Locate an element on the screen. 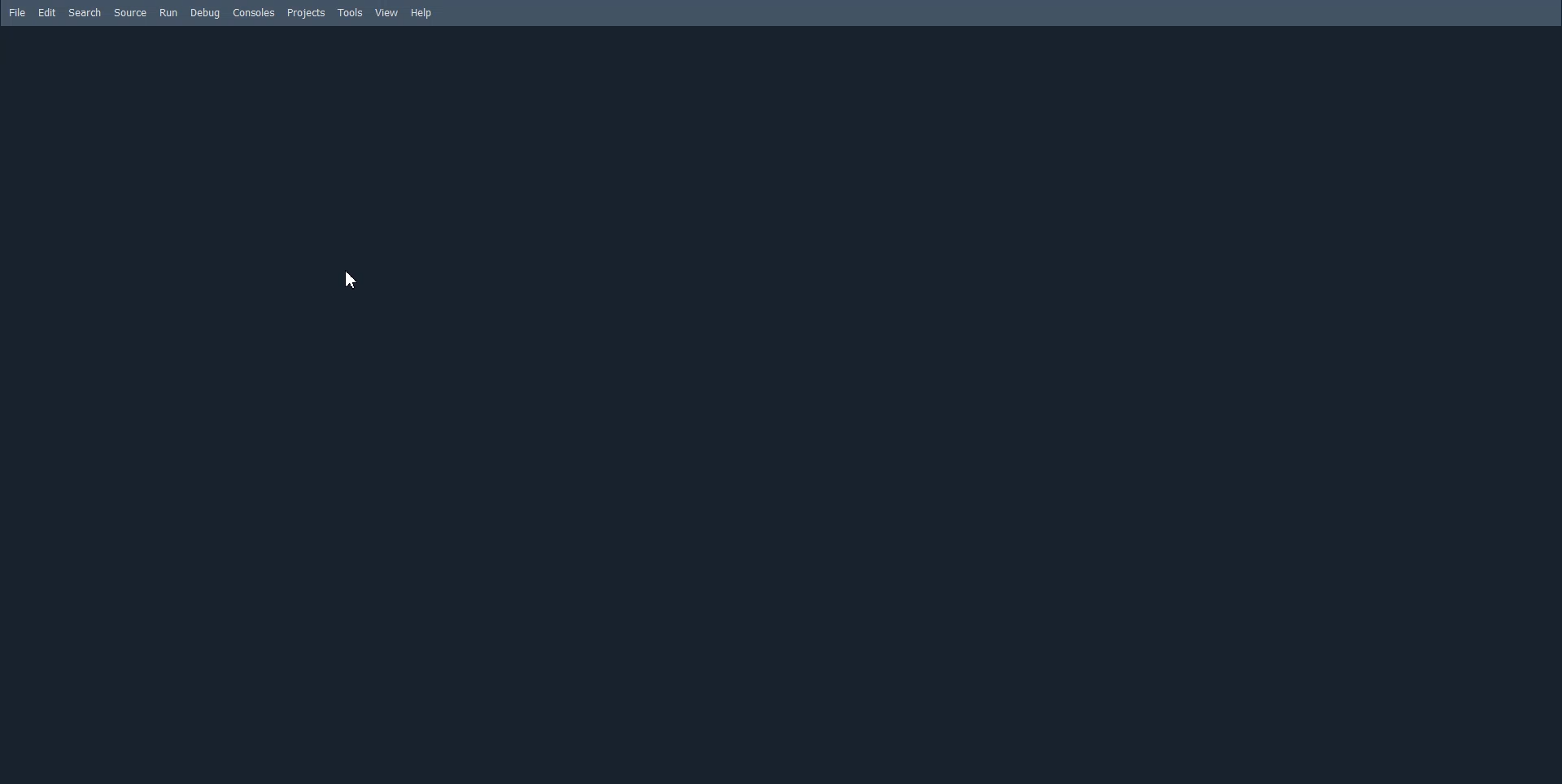 The height and width of the screenshot is (784, 1562). Tools is located at coordinates (348, 12).